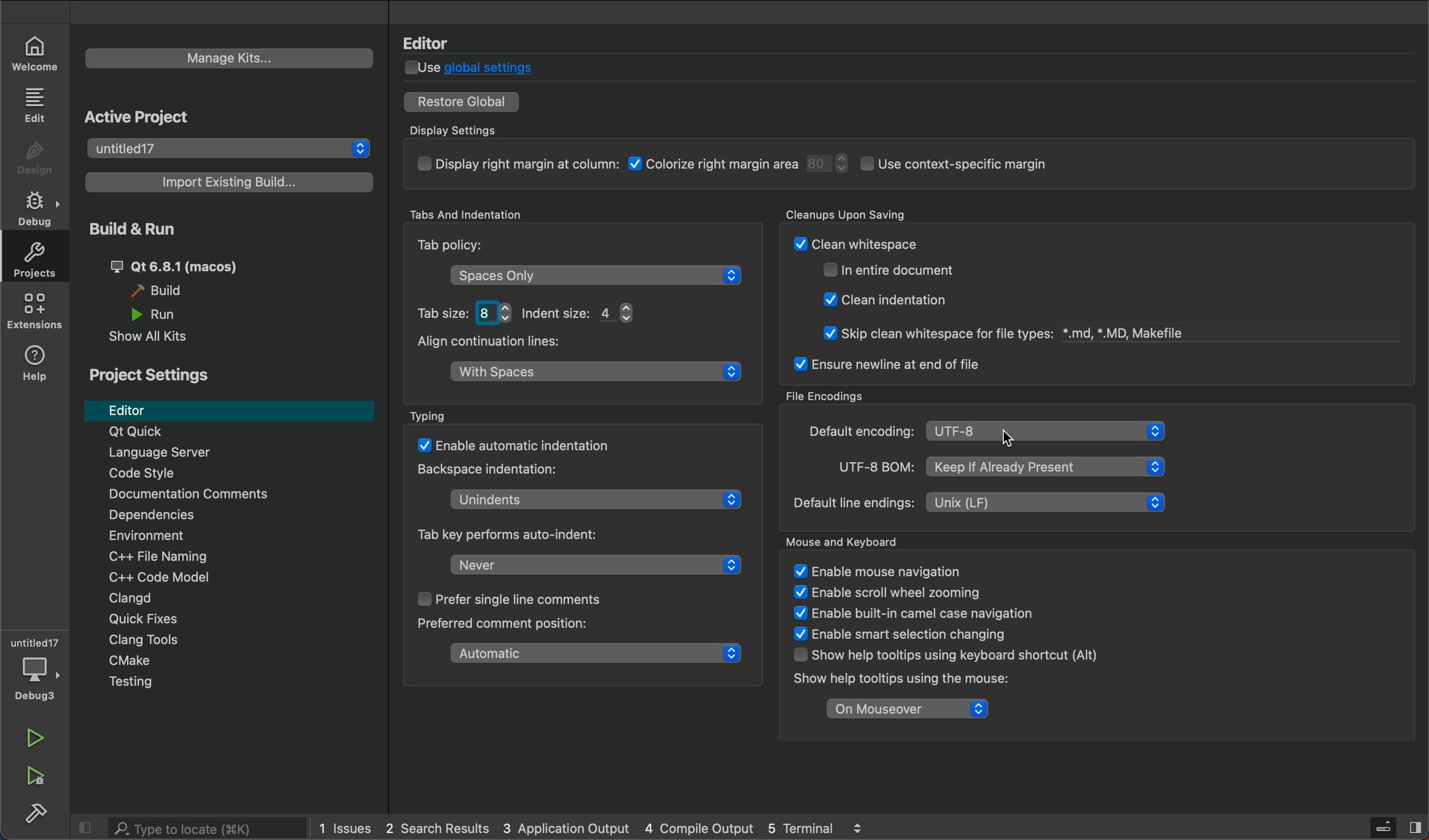 The image size is (1429, 840). What do you see at coordinates (226, 432) in the screenshot?
I see `Qt Quick` at bounding box center [226, 432].